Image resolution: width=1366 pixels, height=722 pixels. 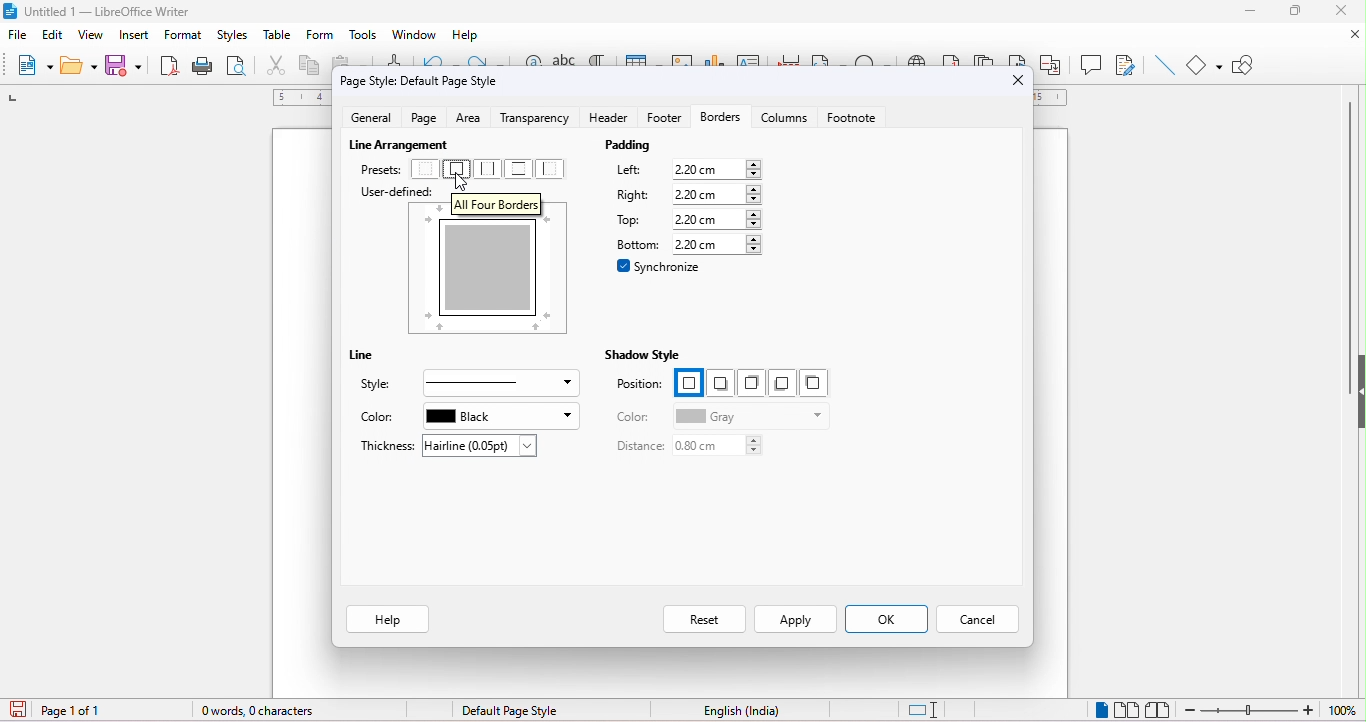 I want to click on close, so click(x=1017, y=79).